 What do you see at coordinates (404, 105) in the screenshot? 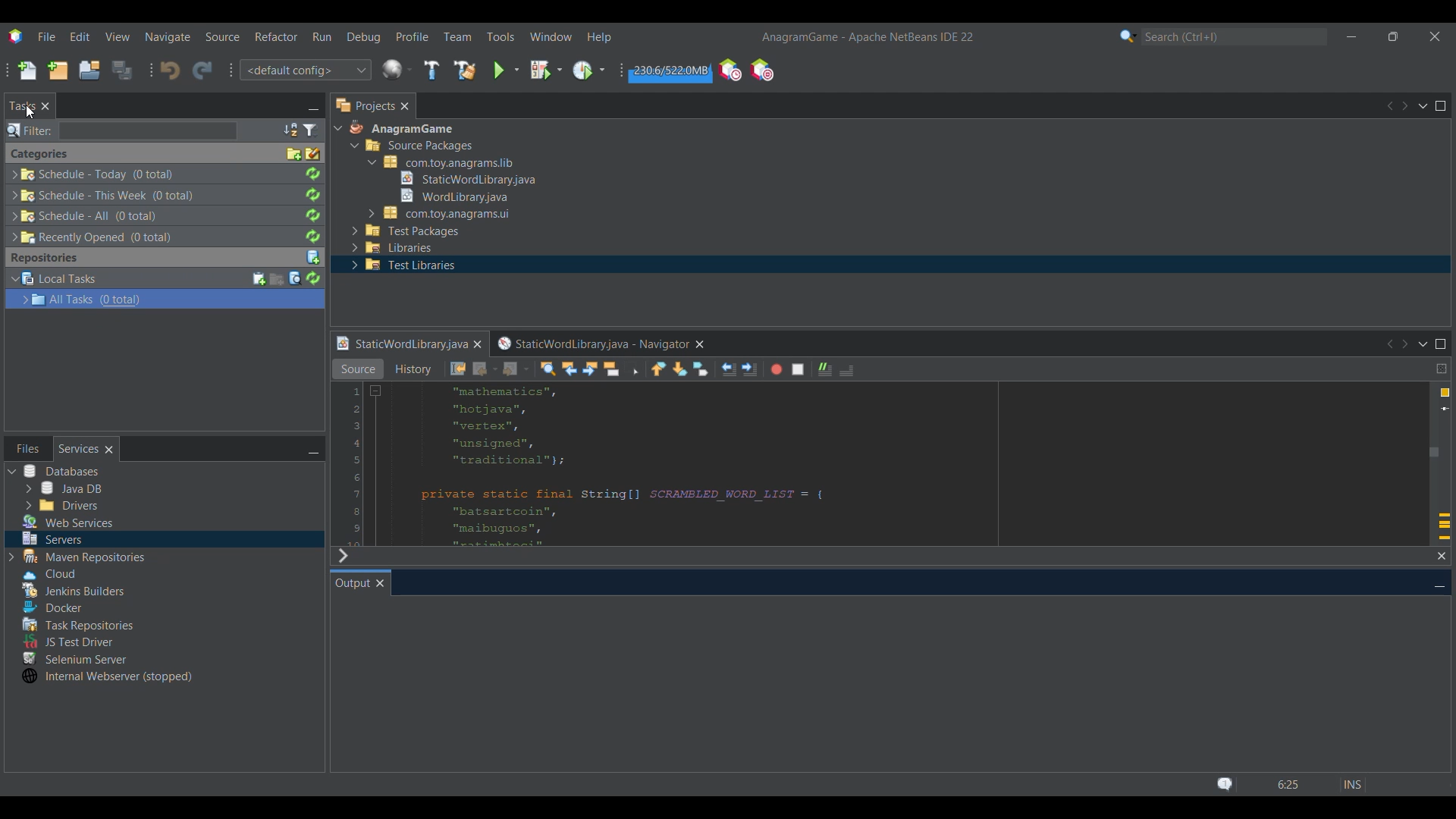
I see `Close` at bounding box center [404, 105].